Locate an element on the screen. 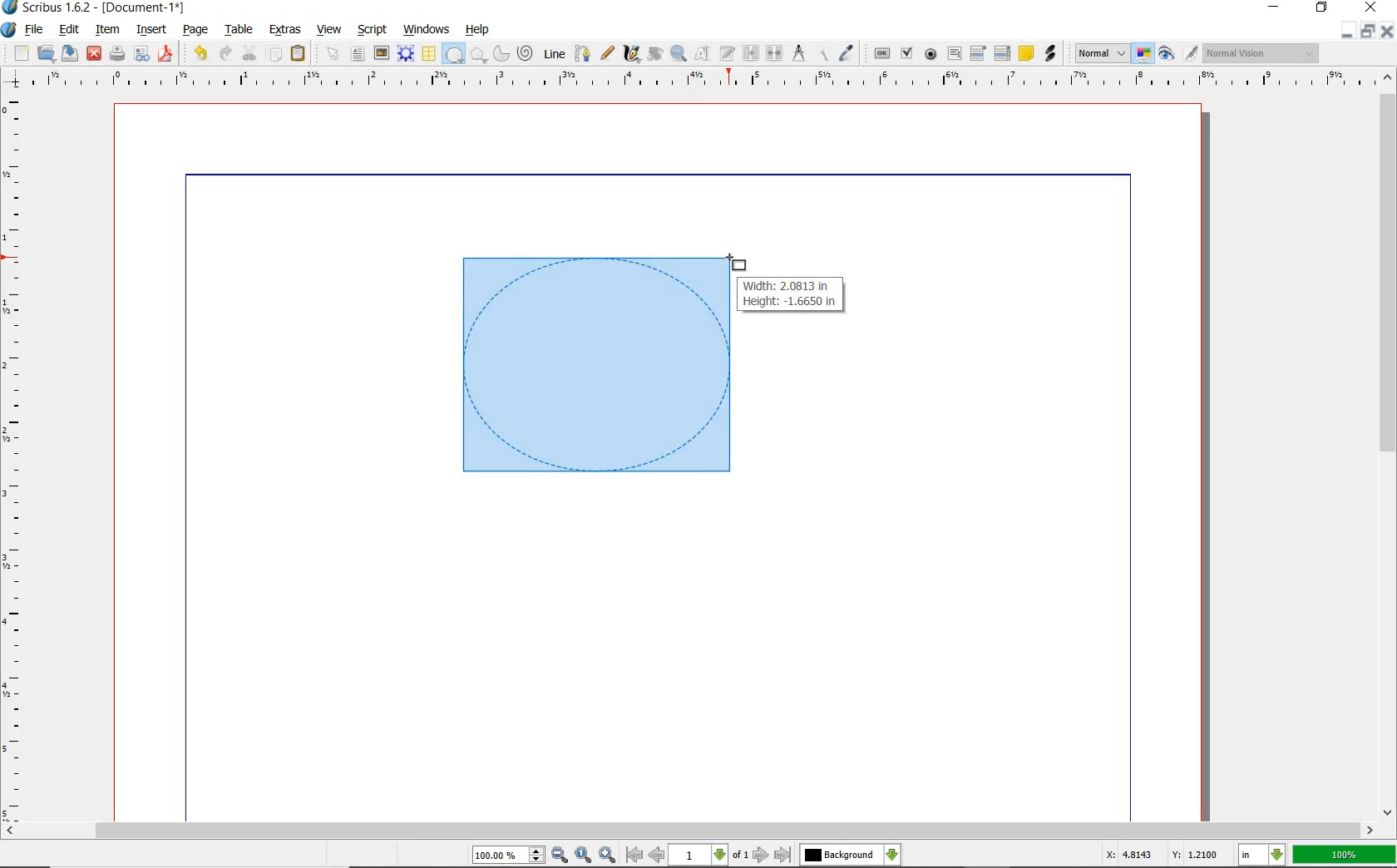 The width and height of the screenshot is (1397, 868). PDF CHECK BOX is located at coordinates (906, 52).